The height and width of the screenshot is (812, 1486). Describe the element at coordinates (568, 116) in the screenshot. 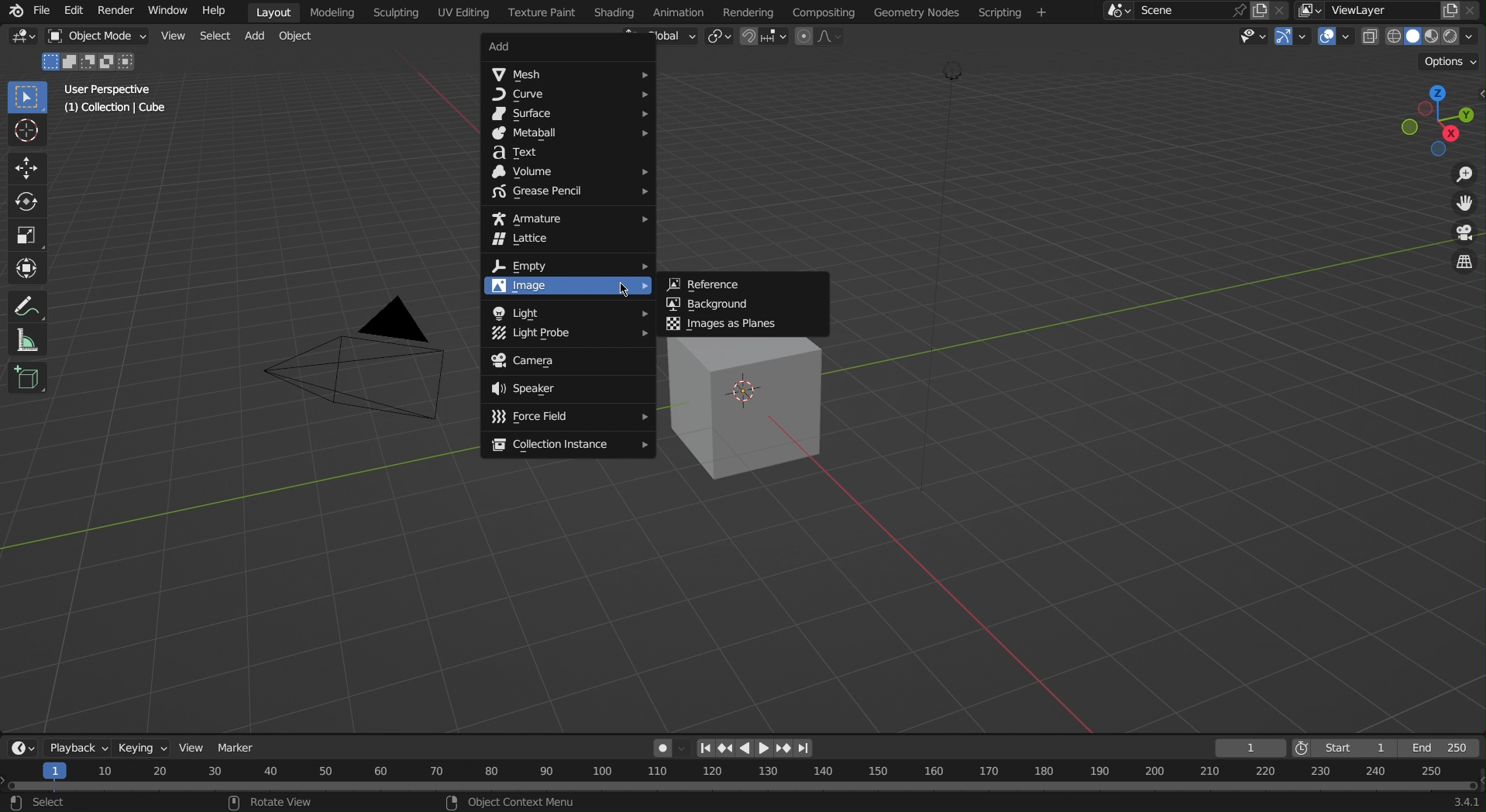

I see `Surface` at that location.